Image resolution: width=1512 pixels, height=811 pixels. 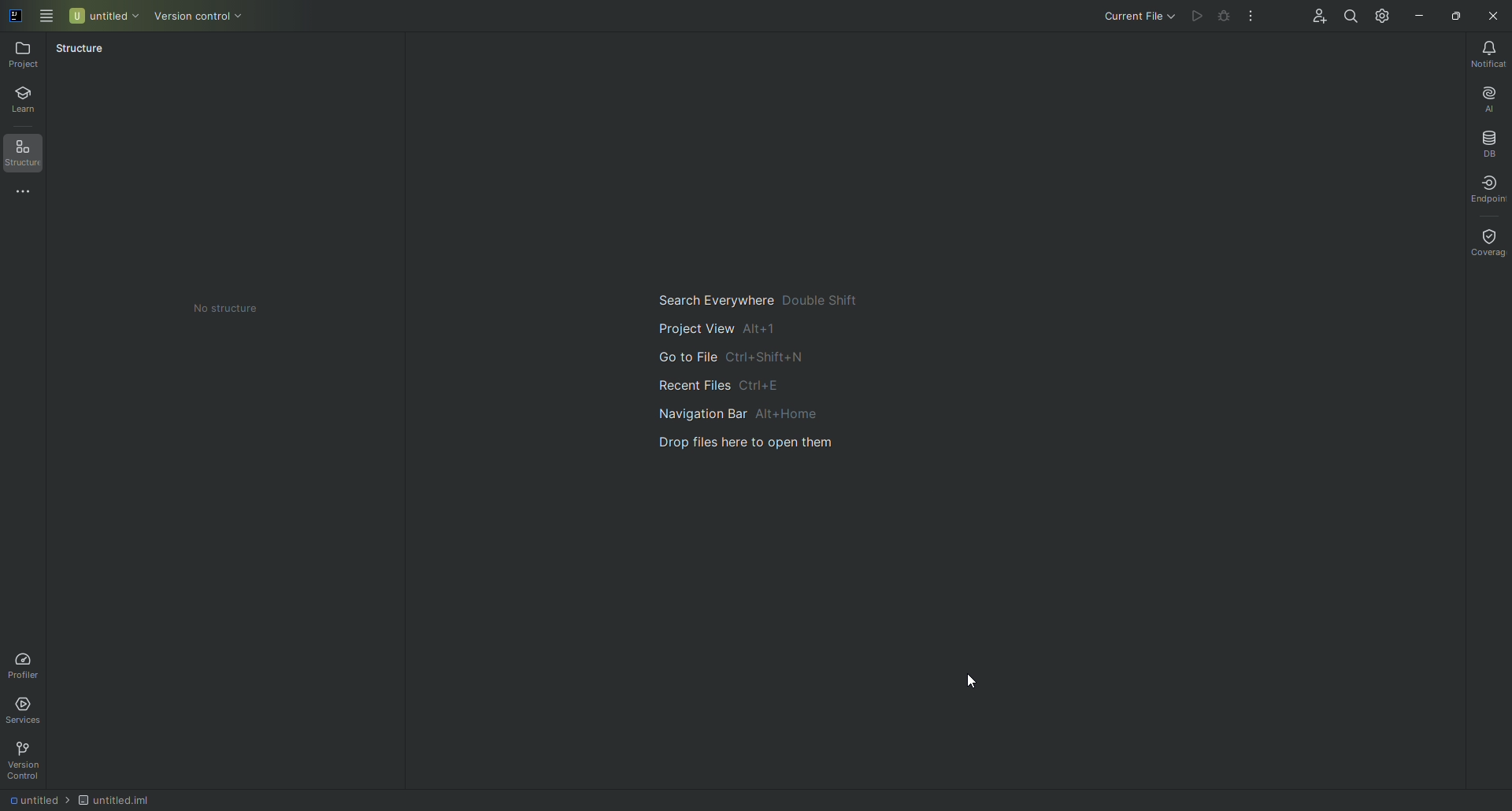 What do you see at coordinates (27, 663) in the screenshot?
I see `Profiler` at bounding box center [27, 663].